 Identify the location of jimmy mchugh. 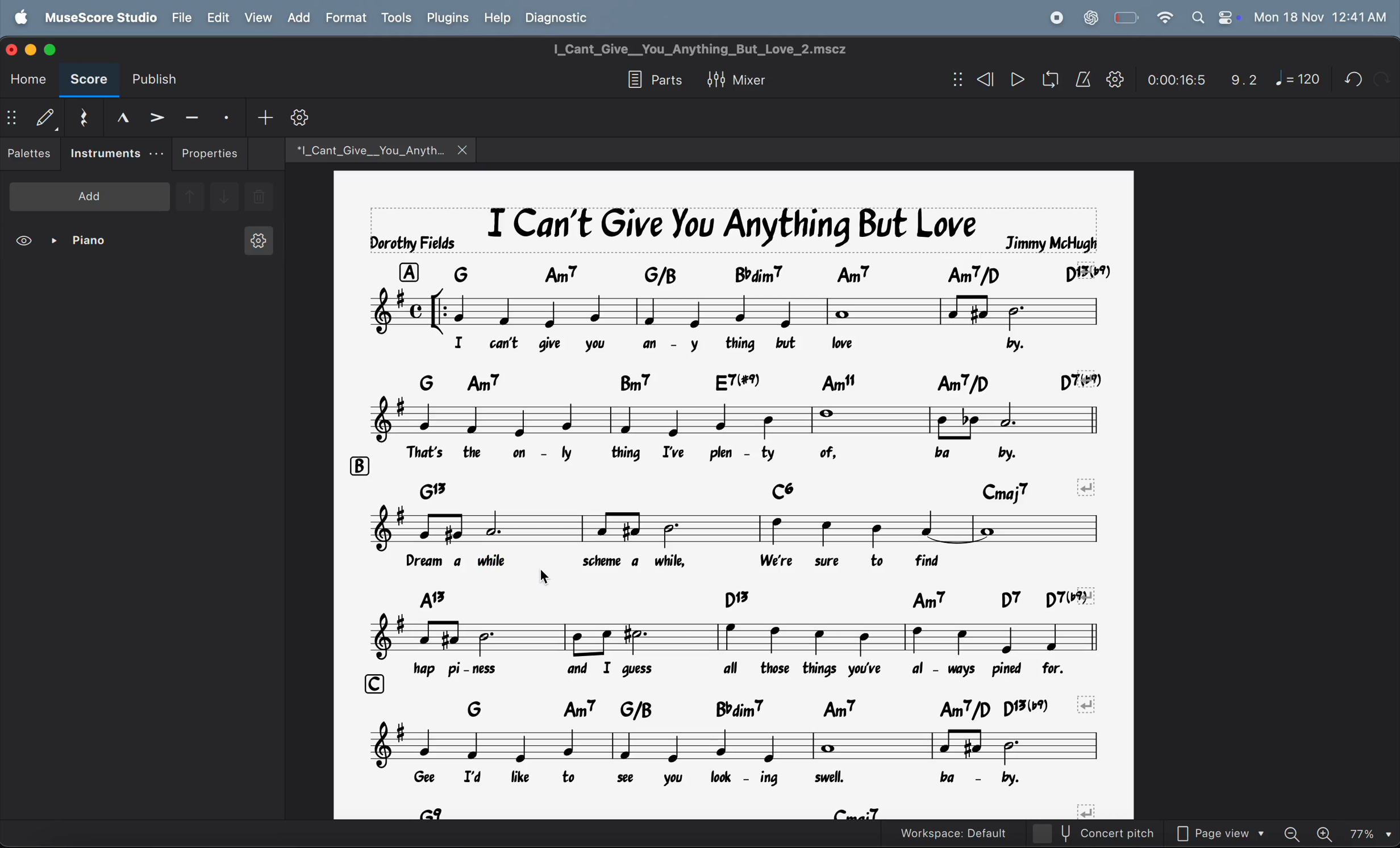
(1054, 241).